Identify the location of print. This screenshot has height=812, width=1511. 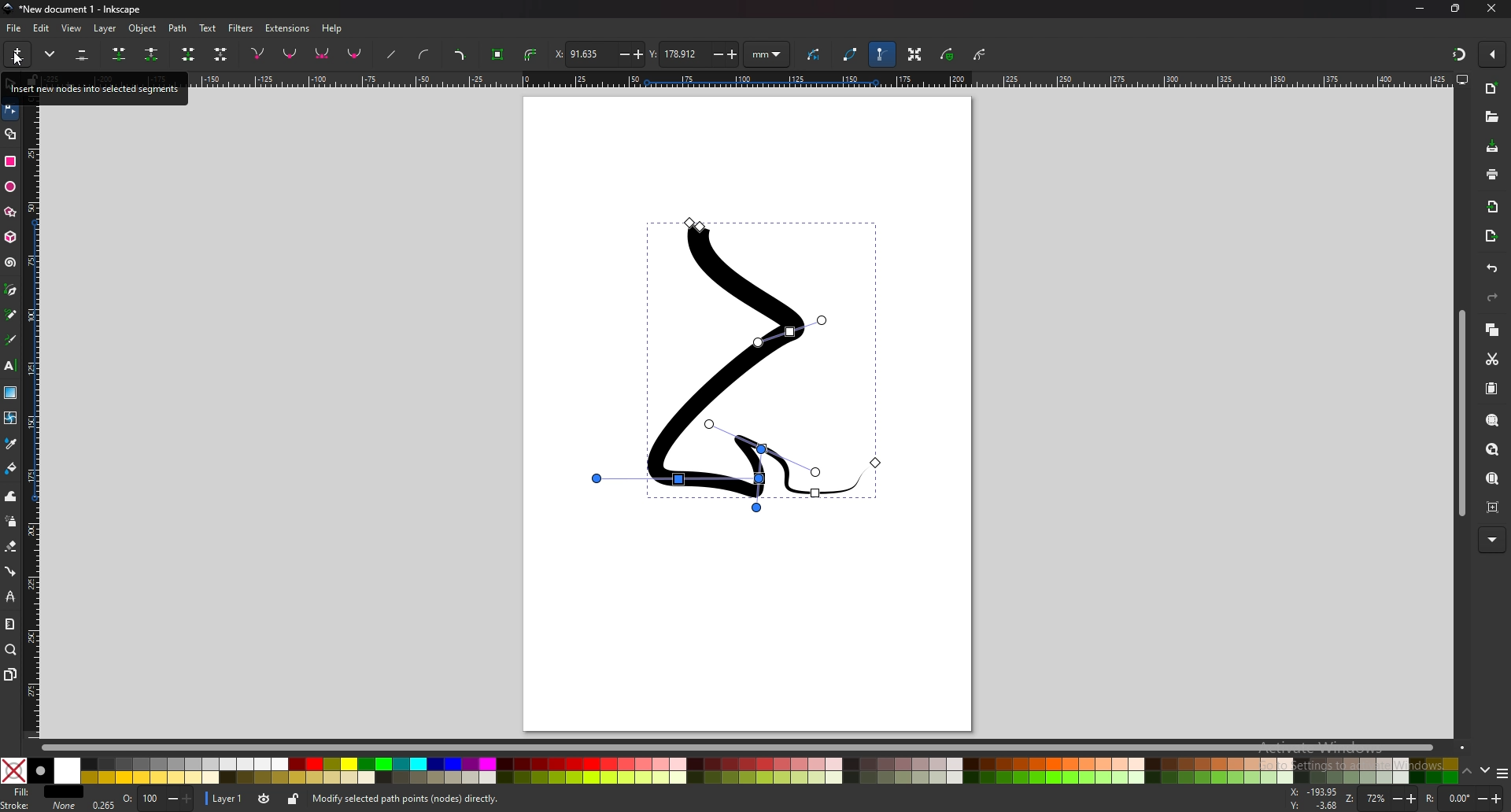
(1493, 175).